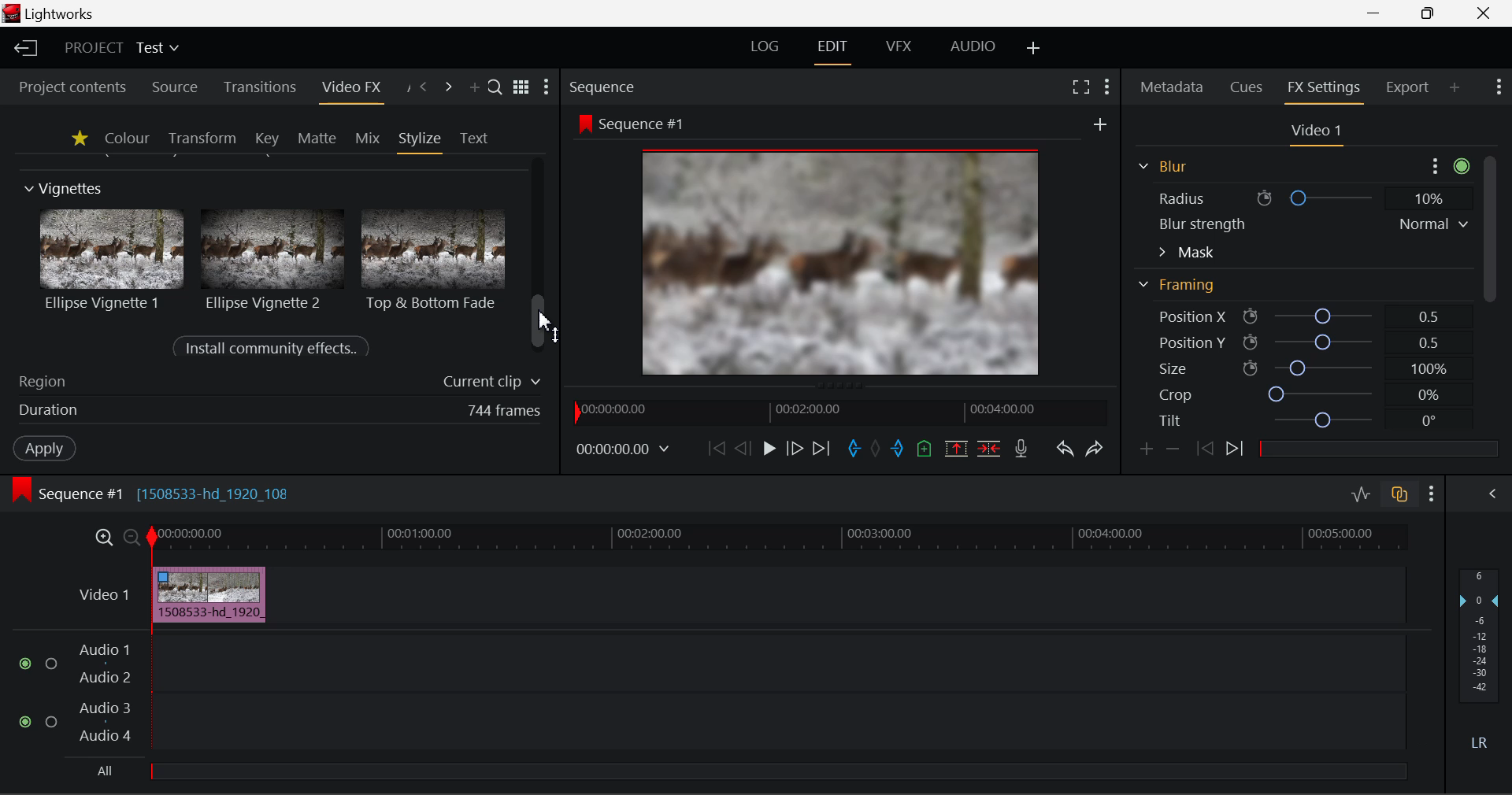 The image size is (1512, 795). I want to click on Transitions, so click(258, 88).